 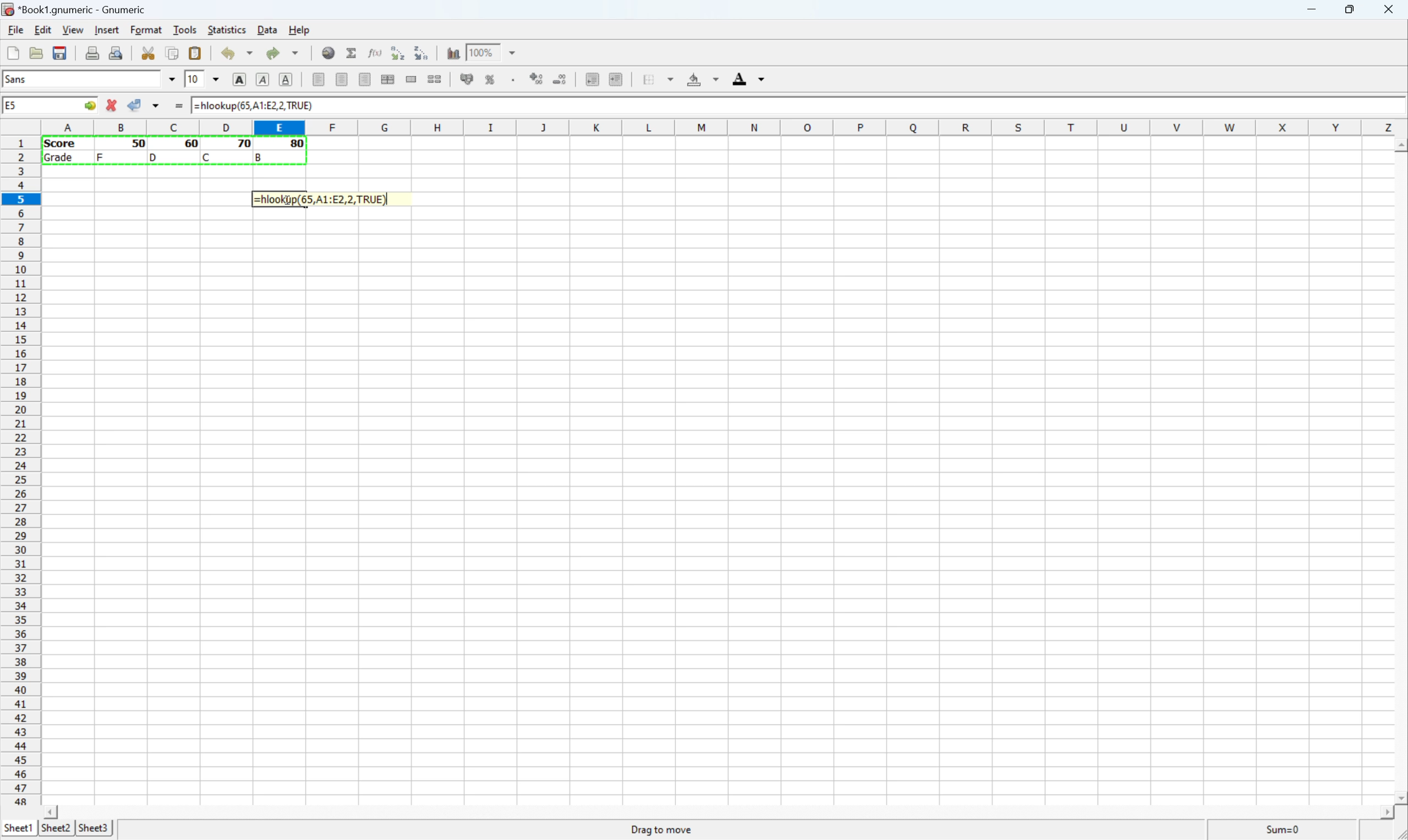 I want to click on Format the selection as percentage, so click(x=491, y=80).